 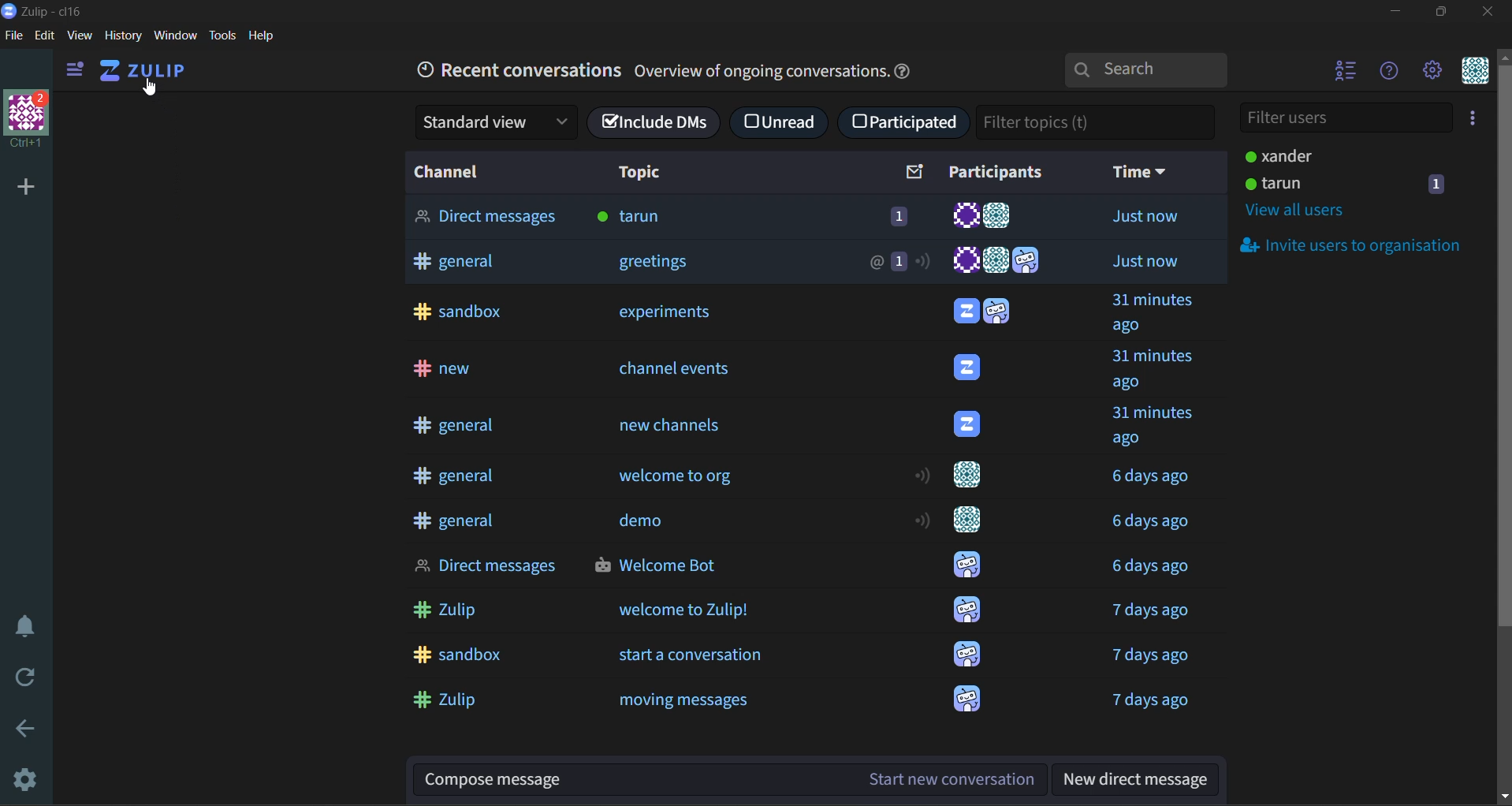 I want to click on reload, so click(x=27, y=674).